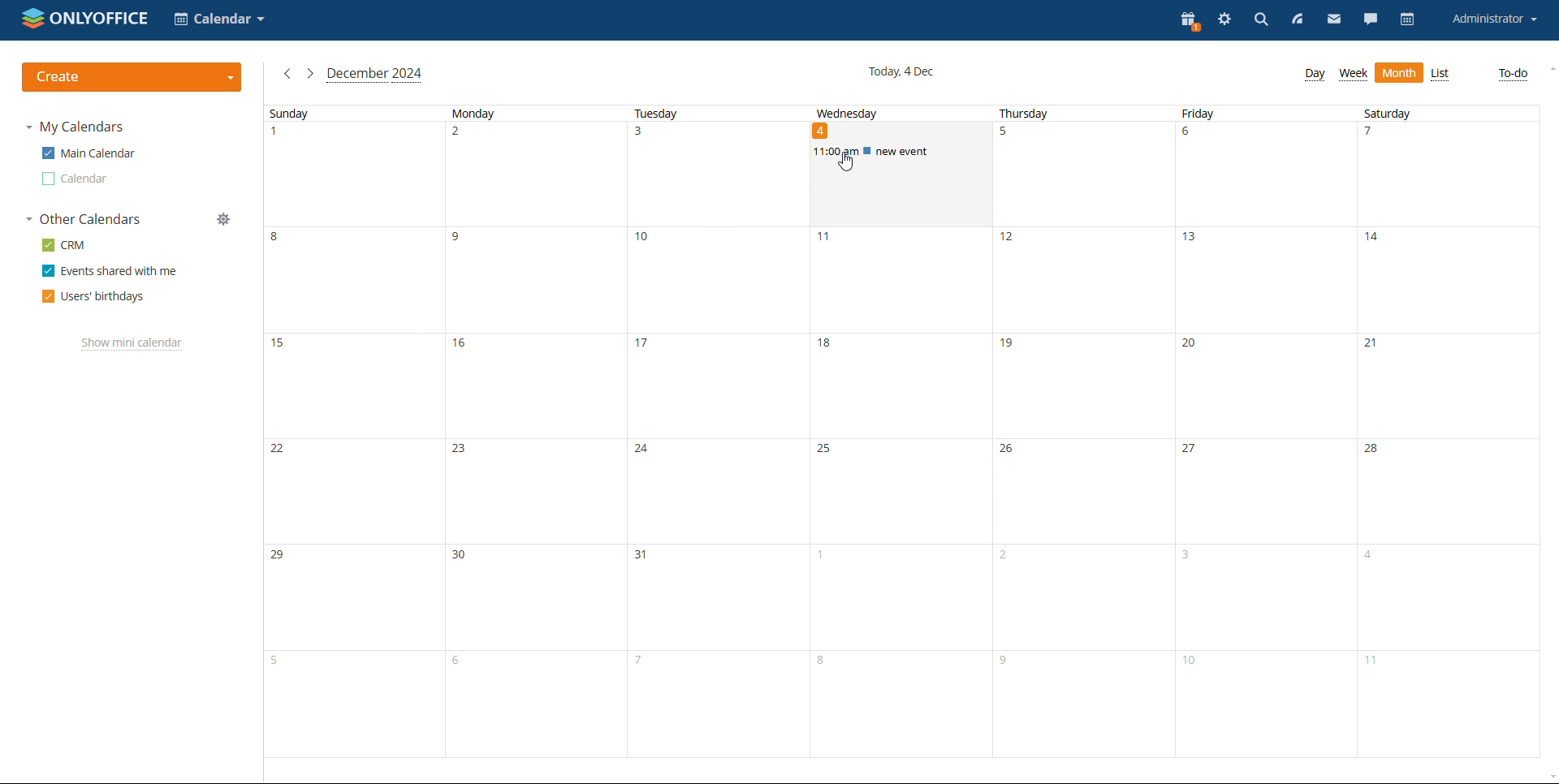 The image size is (1559, 784). I want to click on create, so click(132, 77).